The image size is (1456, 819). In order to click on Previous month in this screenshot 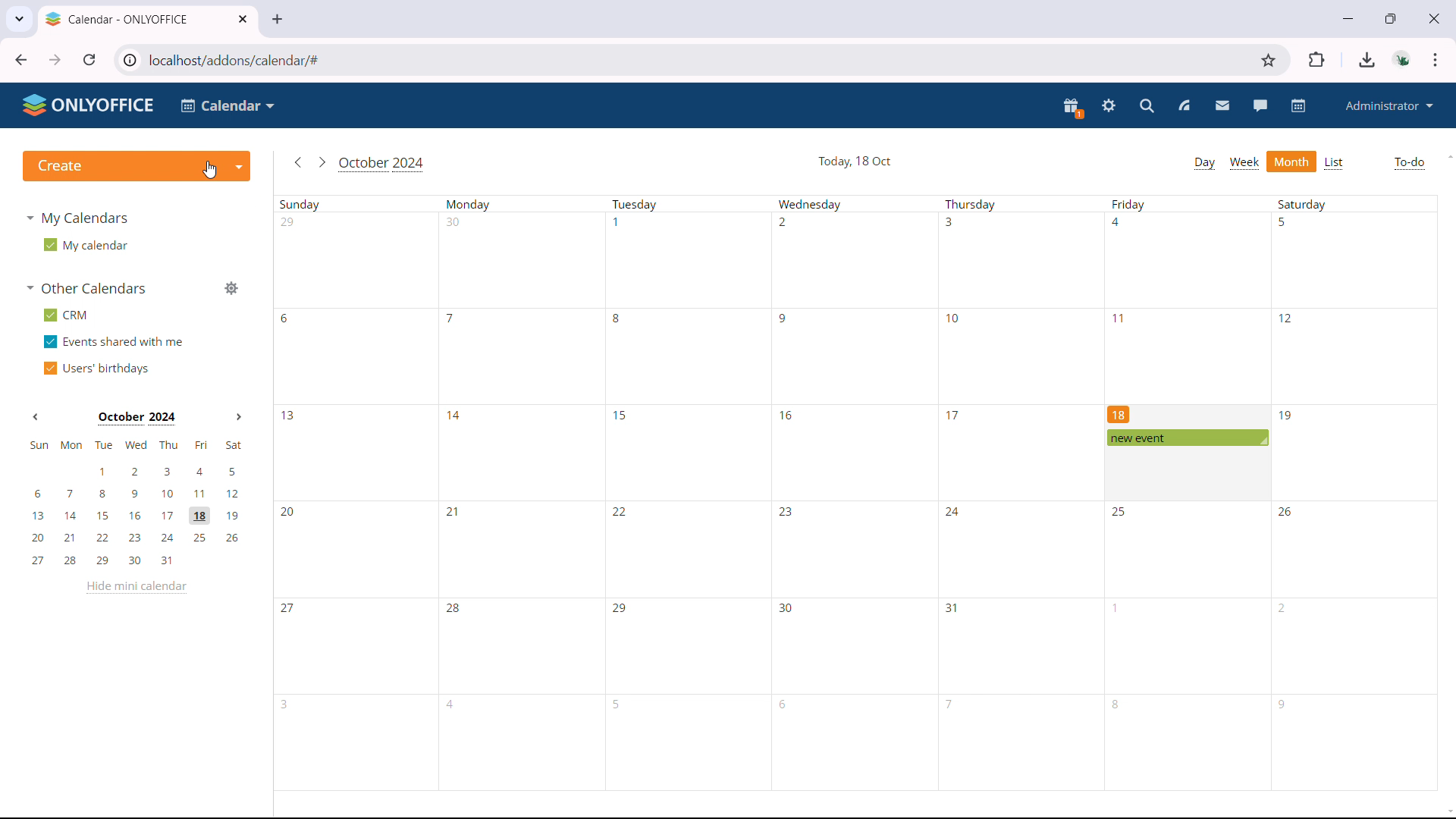, I will do `click(34, 418)`.